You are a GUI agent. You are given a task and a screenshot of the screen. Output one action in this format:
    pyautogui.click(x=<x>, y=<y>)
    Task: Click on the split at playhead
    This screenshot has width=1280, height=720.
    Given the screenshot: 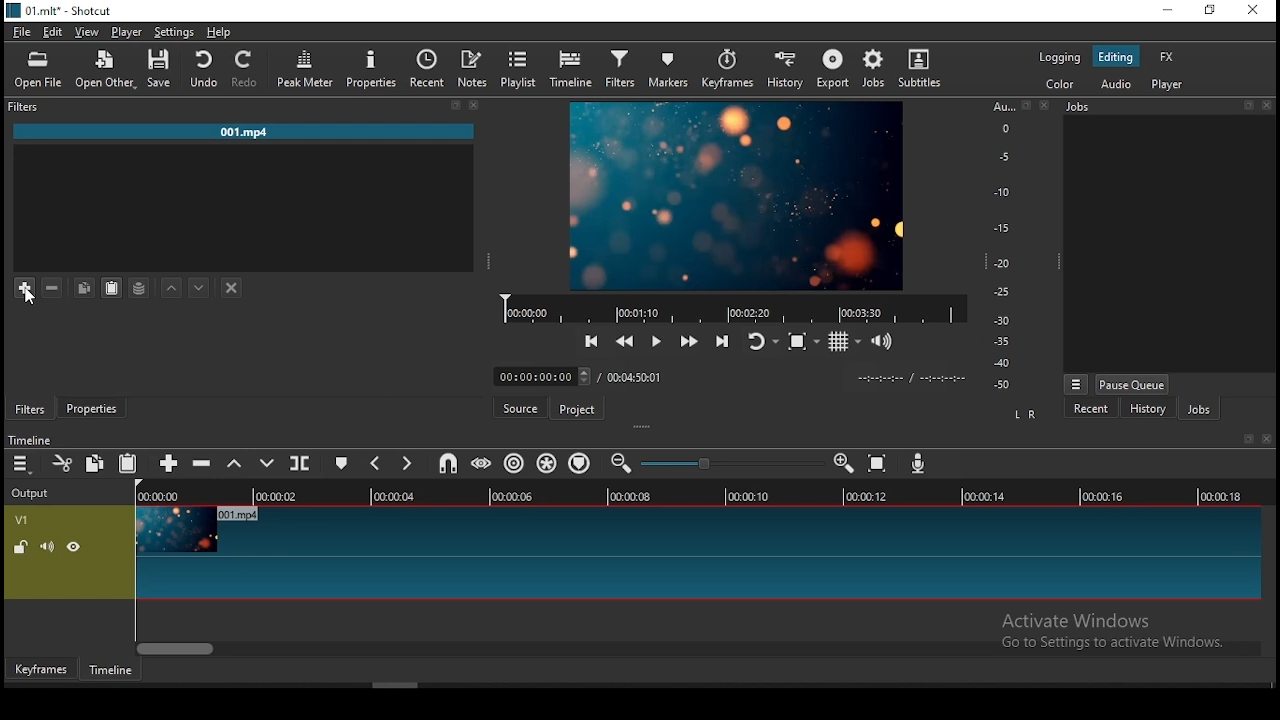 What is the action you would take?
    pyautogui.click(x=300, y=463)
    